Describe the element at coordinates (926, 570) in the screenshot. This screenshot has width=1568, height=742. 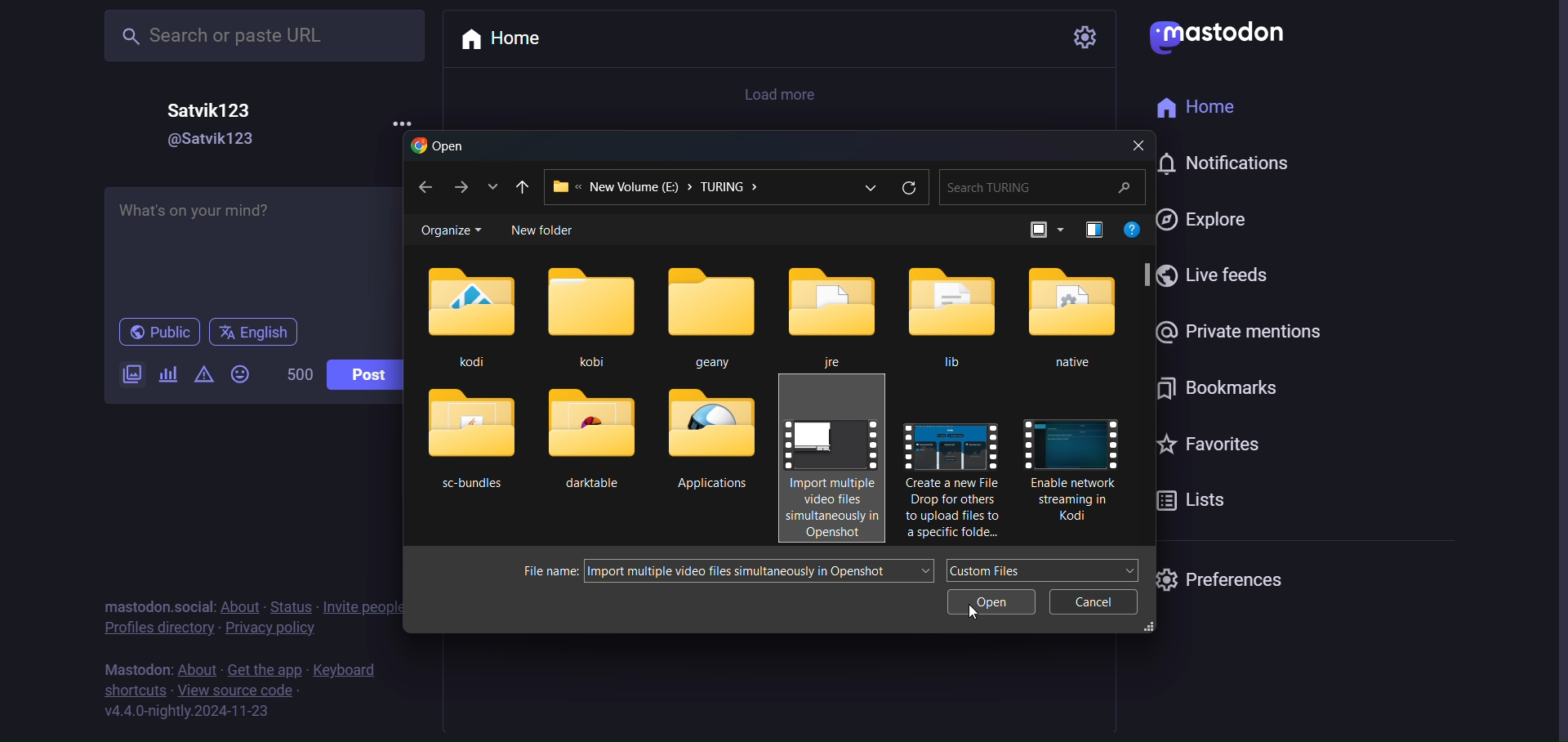
I see `dropdown` at that location.